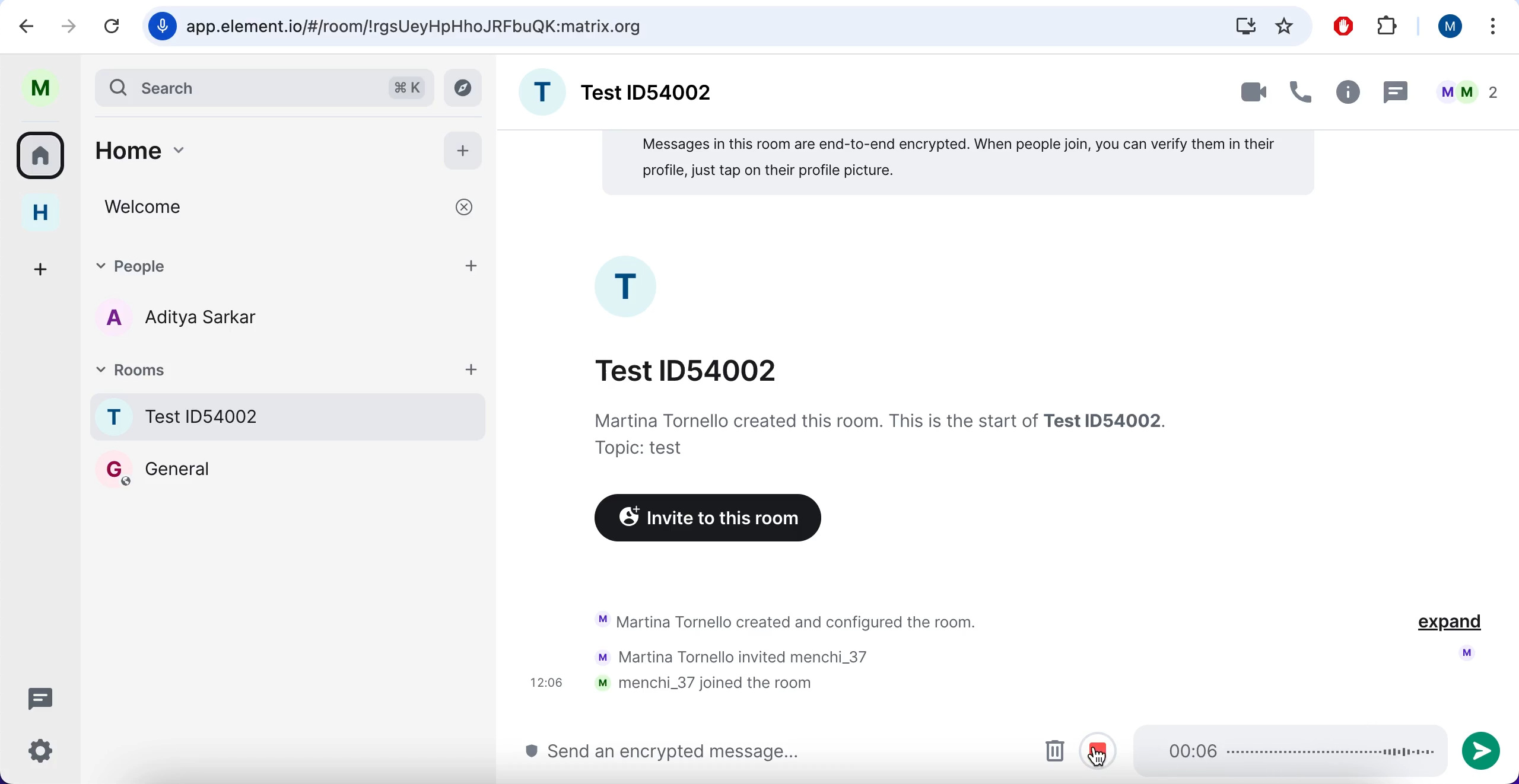 Image resolution: width=1519 pixels, height=784 pixels. What do you see at coordinates (114, 27) in the screenshot?
I see `reload current page` at bounding box center [114, 27].